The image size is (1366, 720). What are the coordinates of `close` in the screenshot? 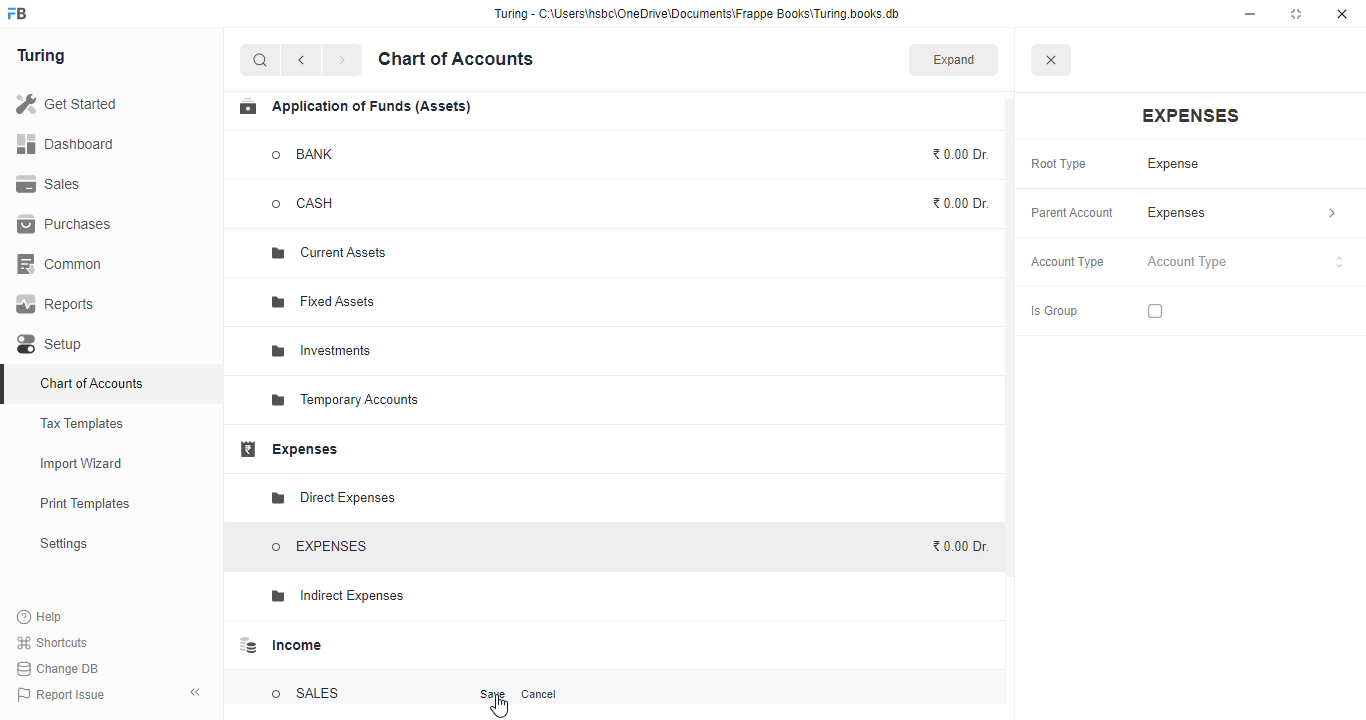 It's located at (1050, 59).